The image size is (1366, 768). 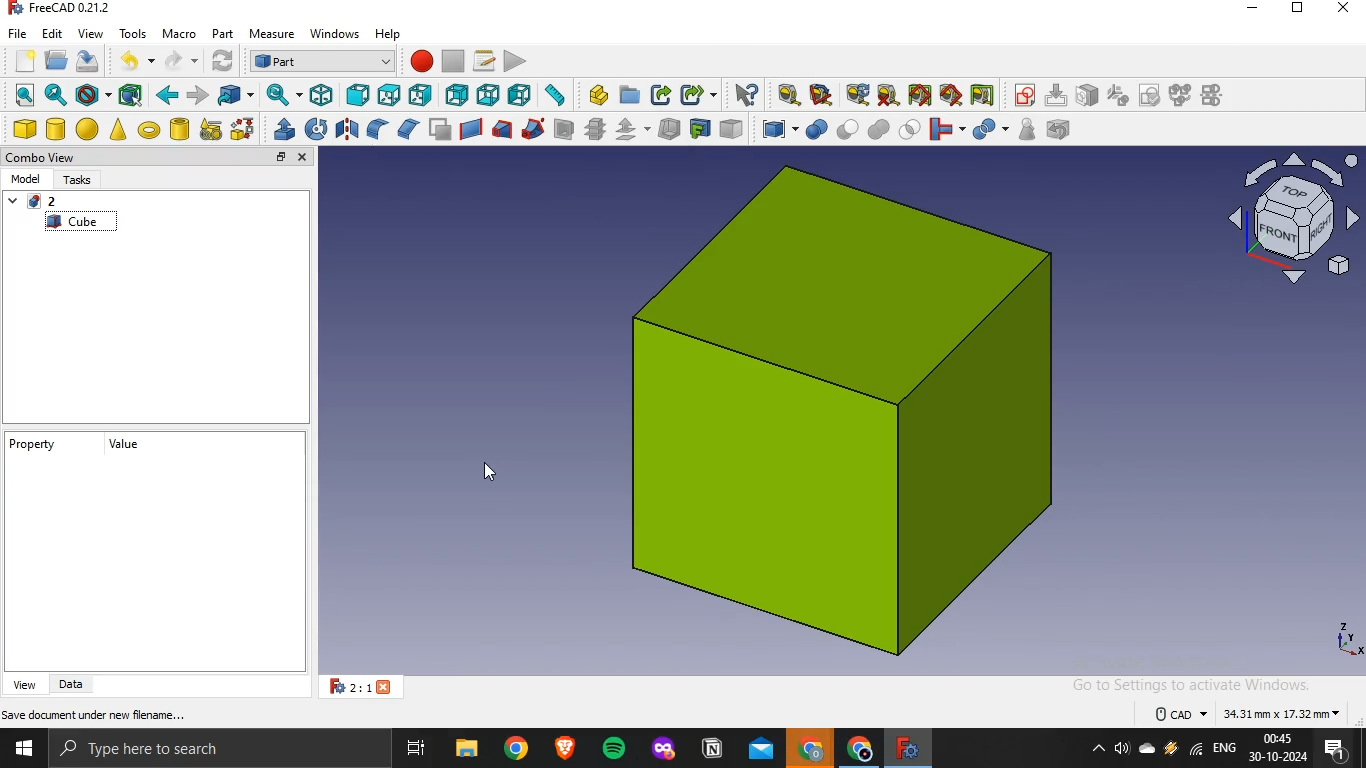 I want to click on offset, so click(x=626, y=130).